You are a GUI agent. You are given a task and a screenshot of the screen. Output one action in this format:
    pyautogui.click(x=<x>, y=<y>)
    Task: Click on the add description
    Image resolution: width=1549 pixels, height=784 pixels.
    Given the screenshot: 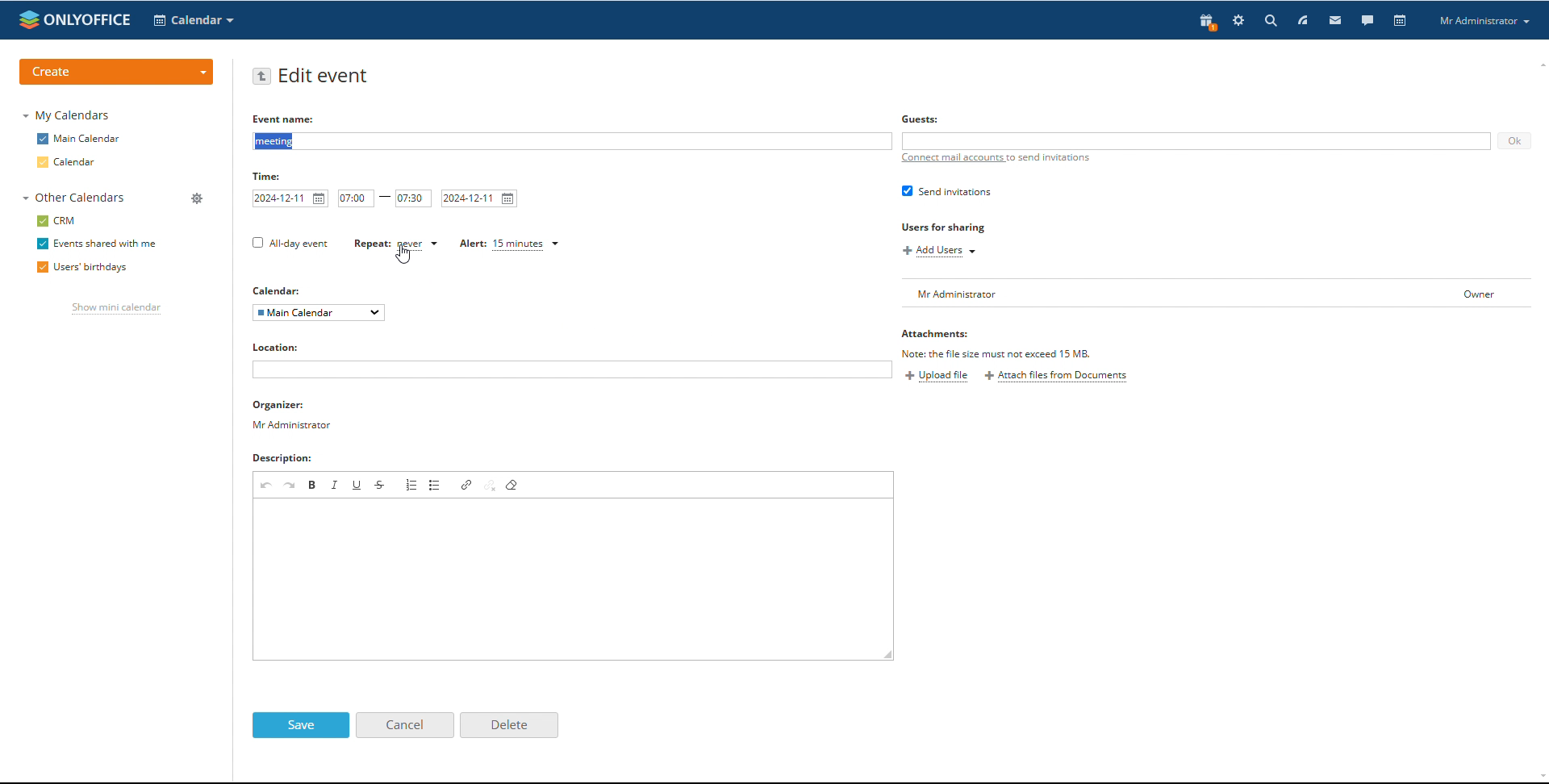 What is the action you would take?
    pyautogui.click(x=574, y=579)
    